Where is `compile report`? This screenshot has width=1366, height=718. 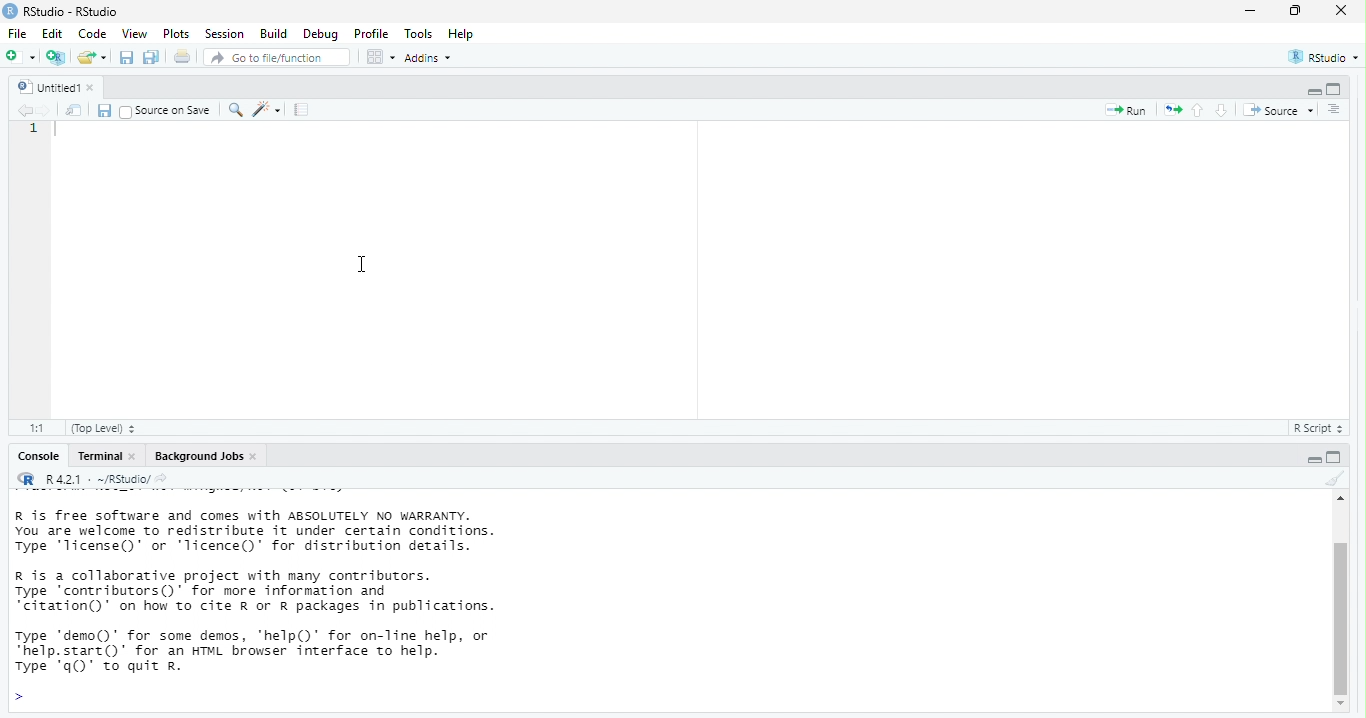
compile report is located at coordinates (303, 110).